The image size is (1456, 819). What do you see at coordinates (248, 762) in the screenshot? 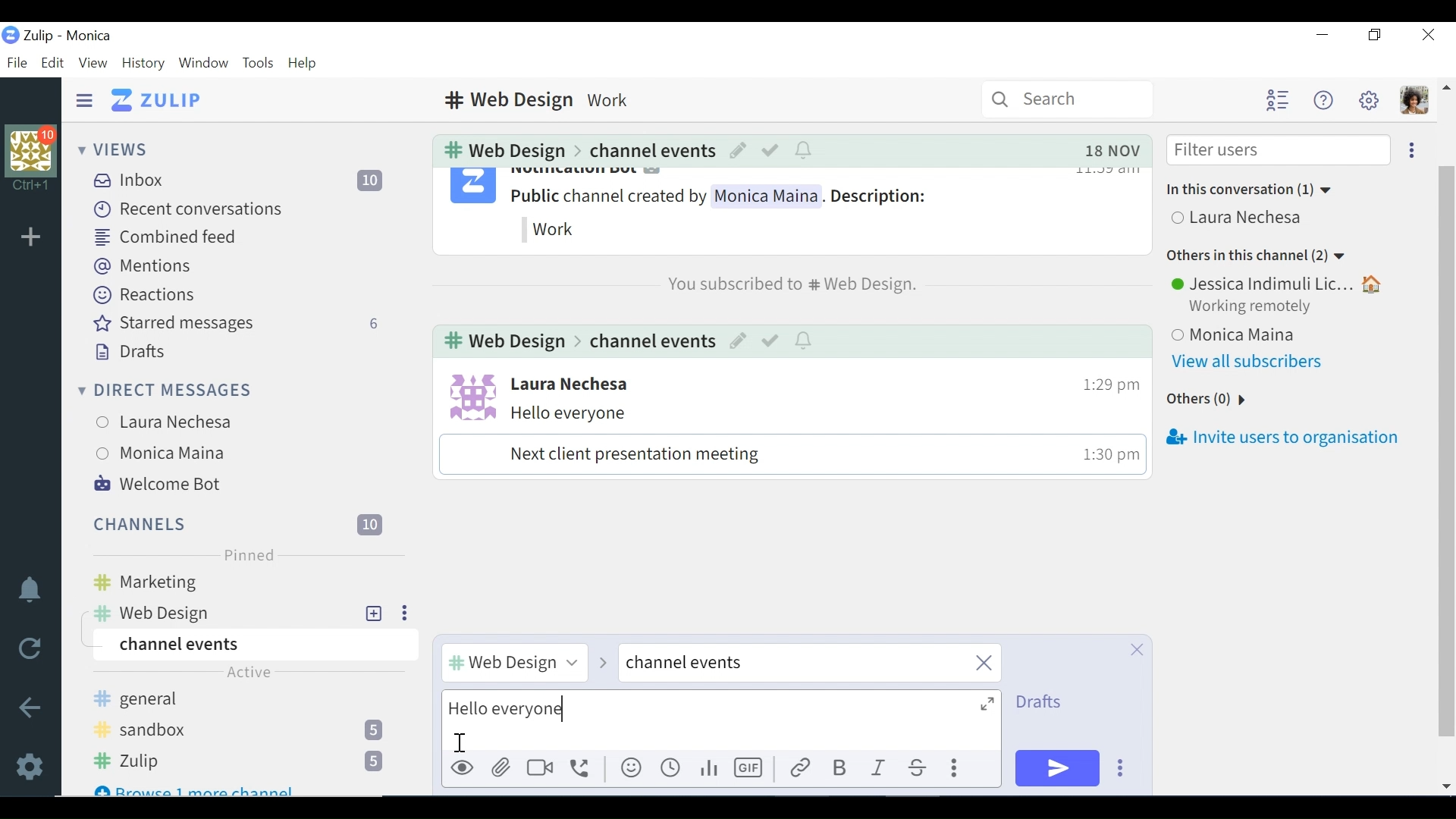
I see `Zulip channel` at bounding box center [248, 762].